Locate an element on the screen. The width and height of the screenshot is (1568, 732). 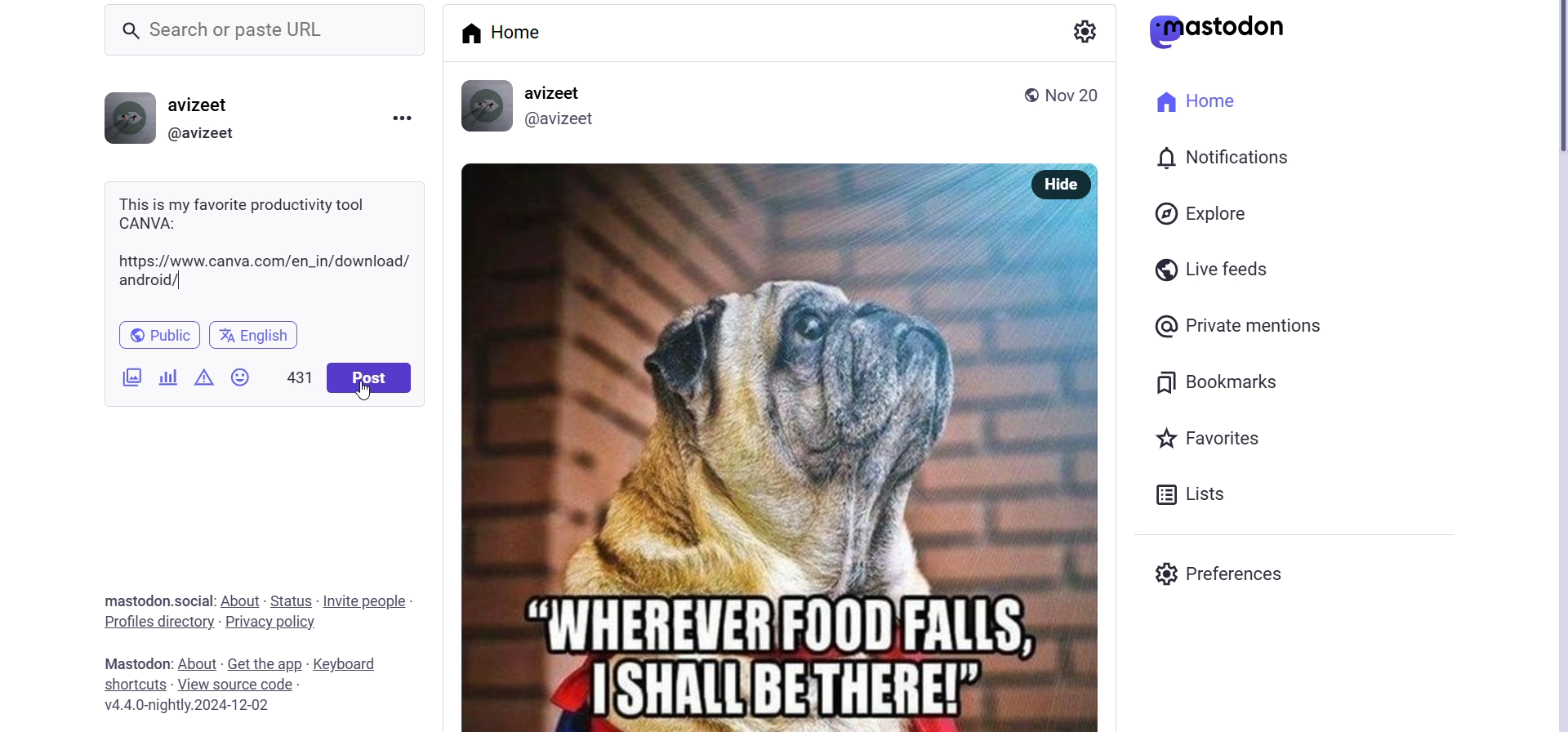
public post is located at coordinates (1023, 94).